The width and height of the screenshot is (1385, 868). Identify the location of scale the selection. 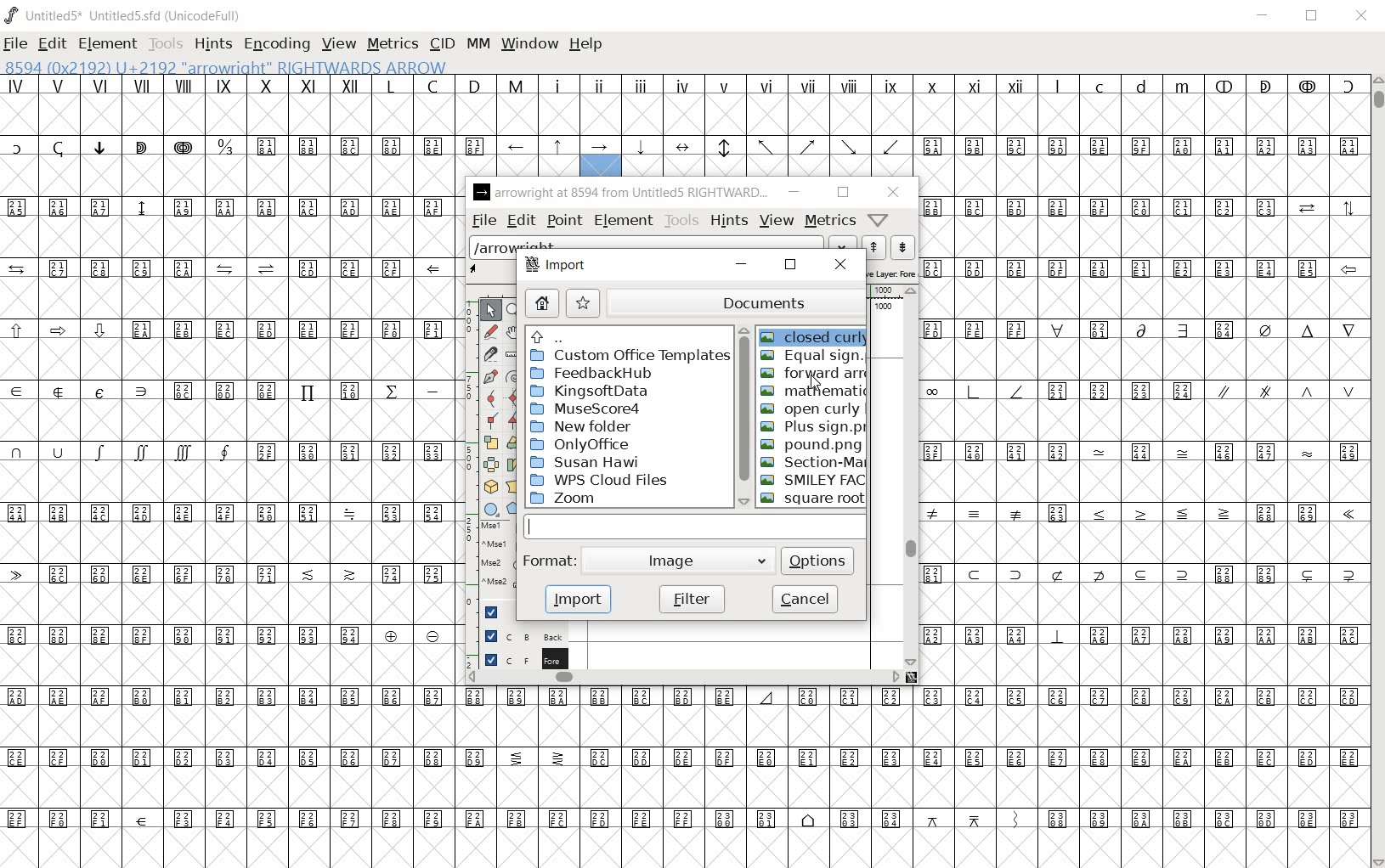
(491, 442).